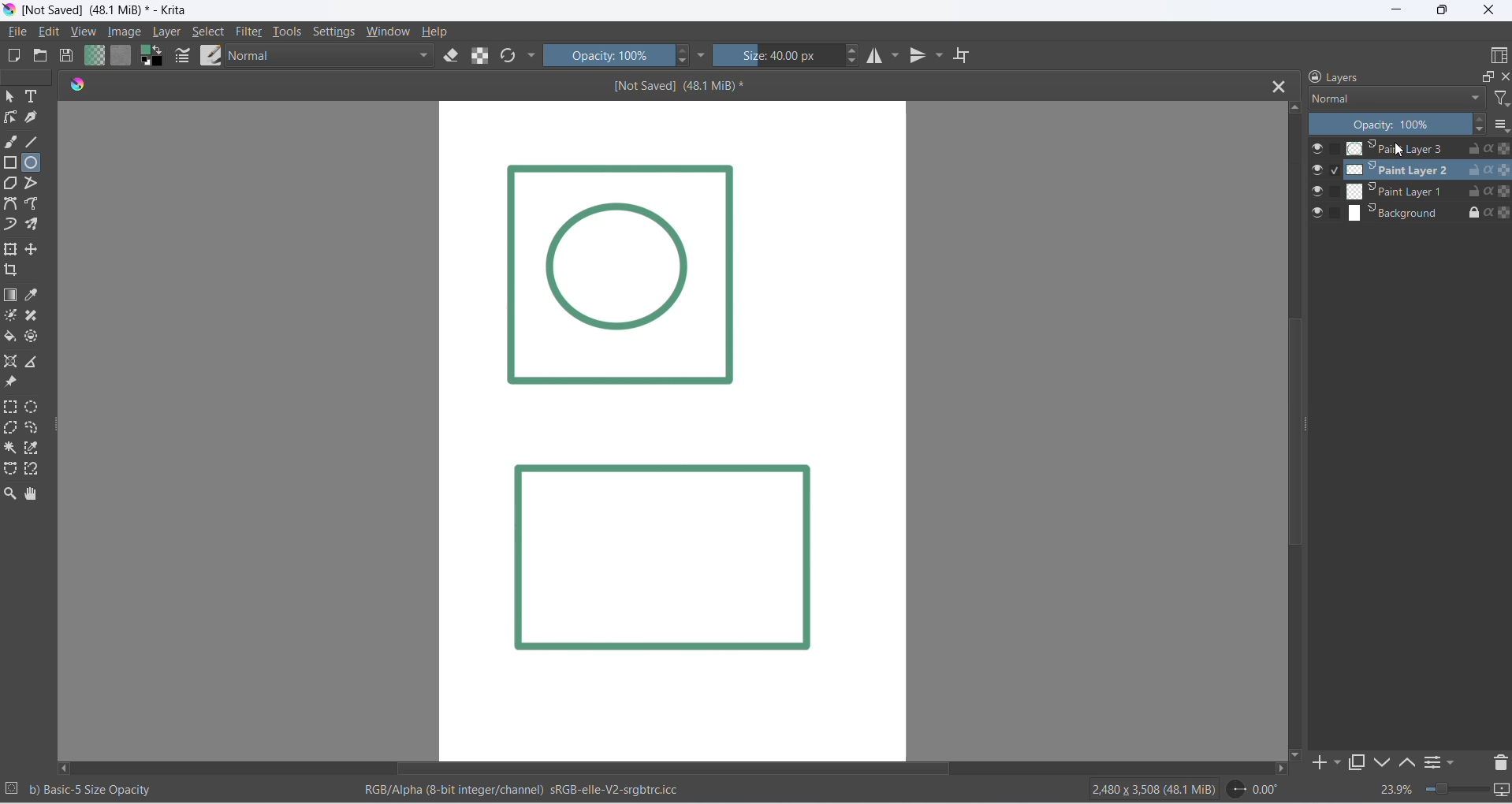 The image size is (1512, 804). I want to click on down, so click(1383, 763).